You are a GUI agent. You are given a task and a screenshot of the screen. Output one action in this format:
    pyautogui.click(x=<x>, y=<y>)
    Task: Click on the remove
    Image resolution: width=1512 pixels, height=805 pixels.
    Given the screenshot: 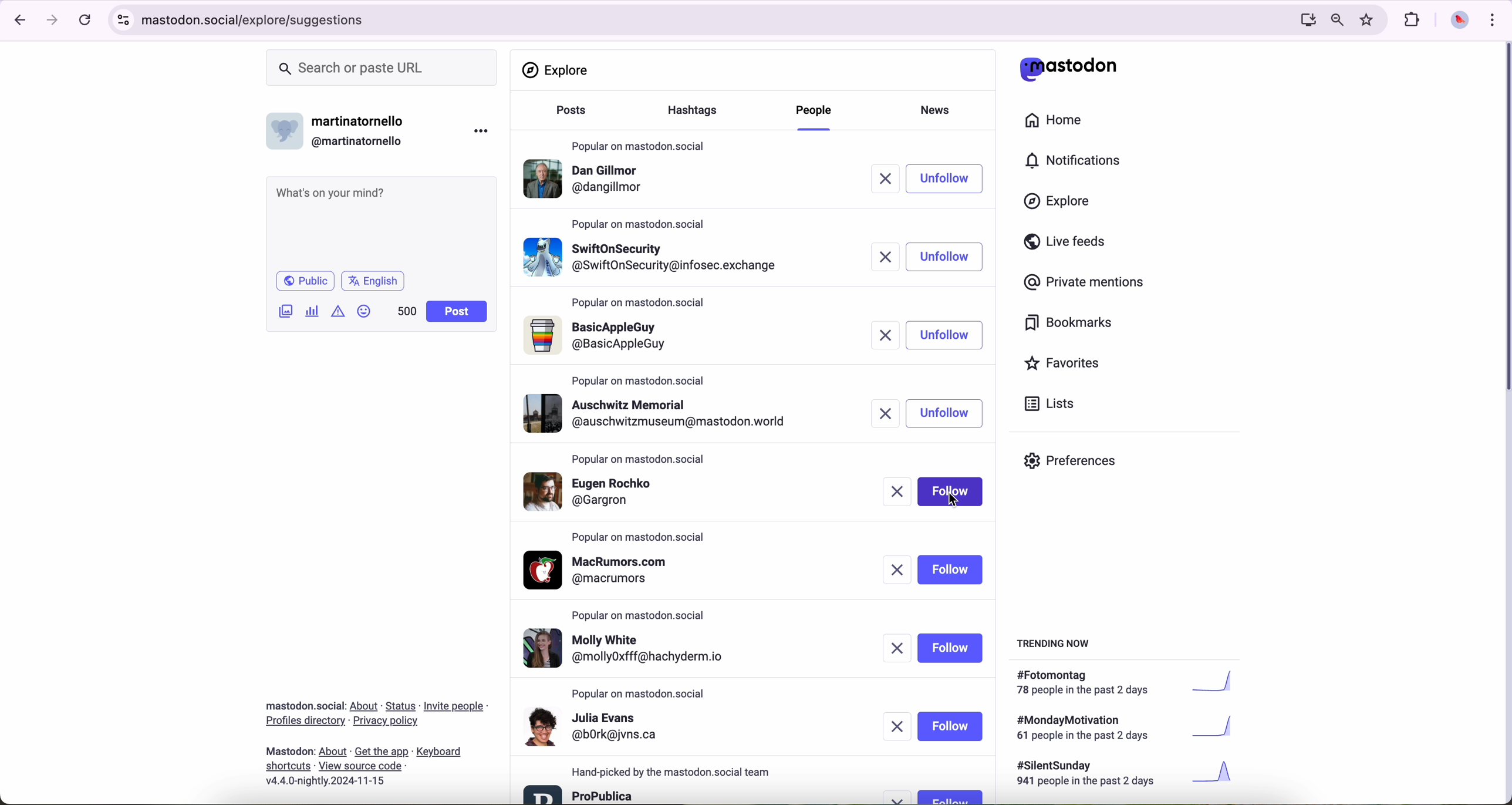 What is the action you would take?
    pyautogui.click(x=887, y=256)
    